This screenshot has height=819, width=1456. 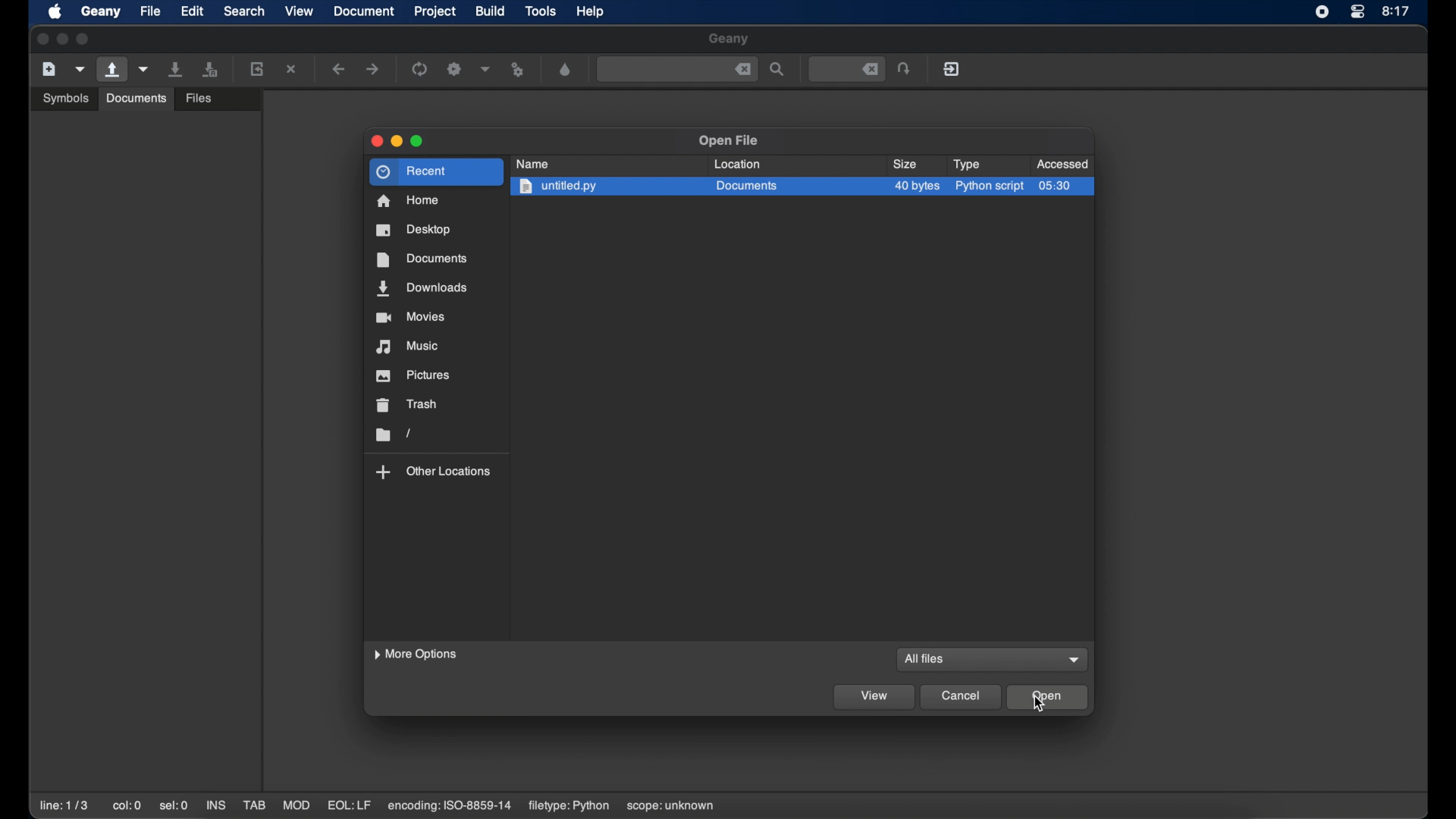 I want to click on file, so click(x=150, y=11).